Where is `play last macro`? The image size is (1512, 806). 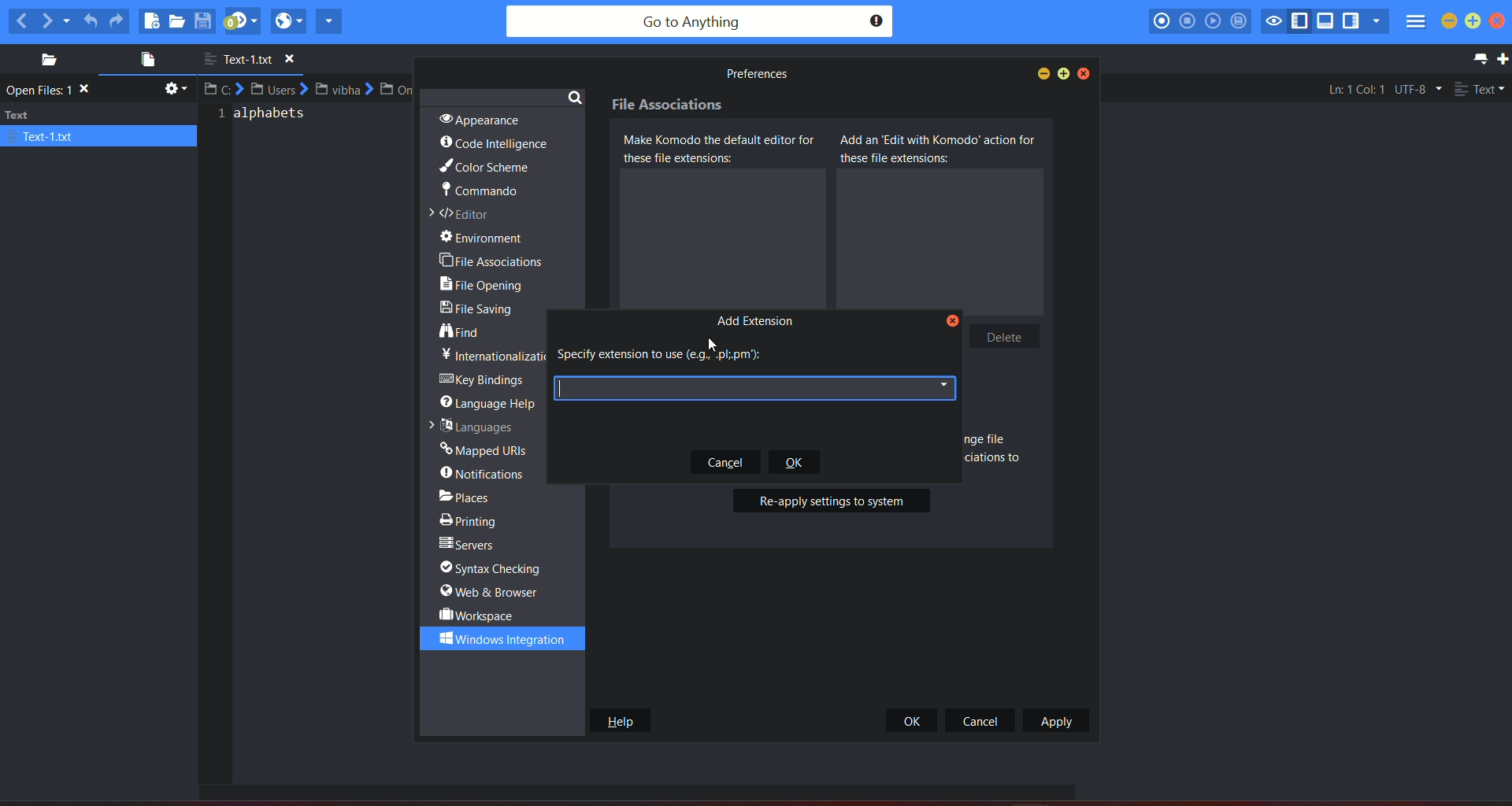
play last macro is located at coordinates (1214, 21).